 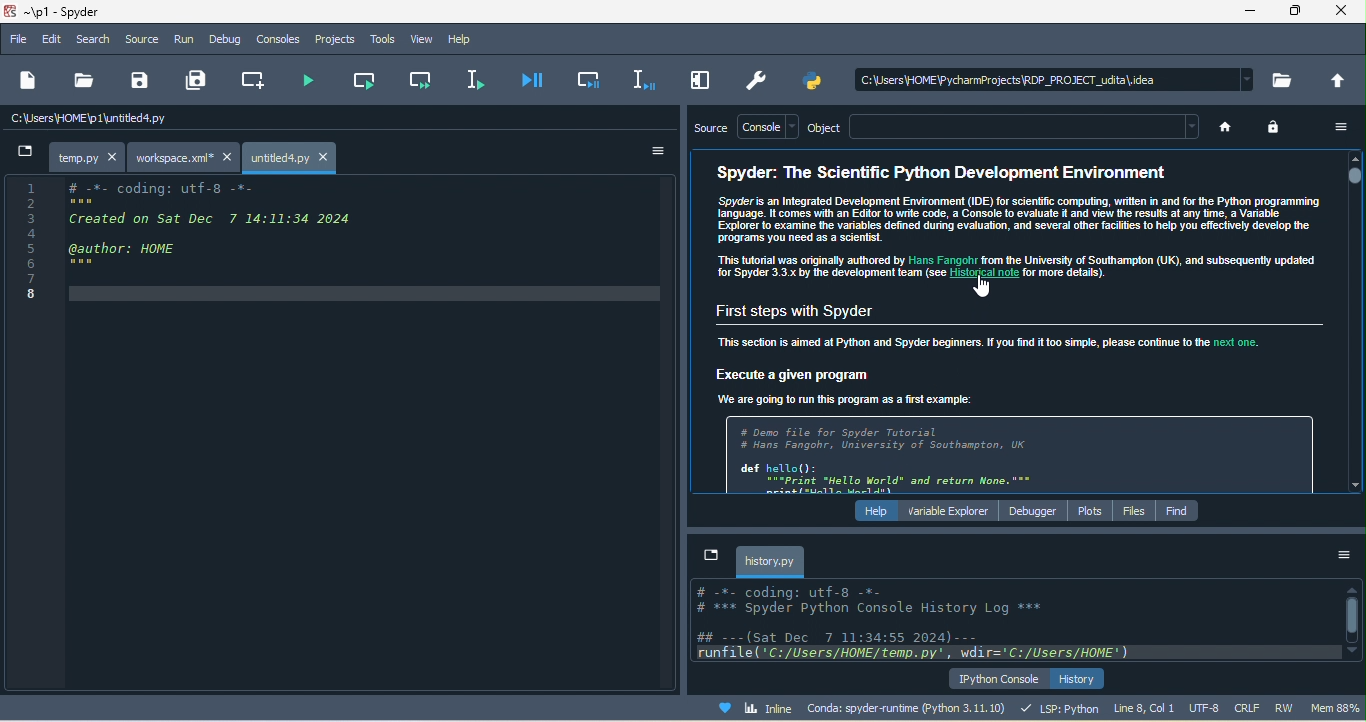 What do you see at coordinates (1342, 12) in the screenshot?
I see `close` at bounding box center [1342, 12].